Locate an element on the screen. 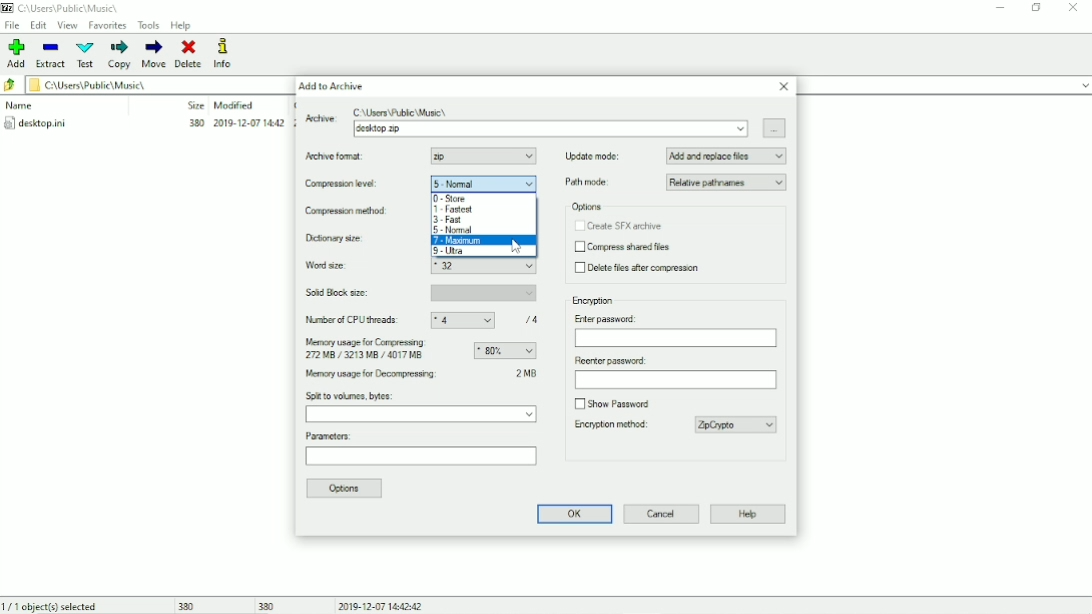 This screenshot has width=1092, height=614. Edit is located at coordinates (39, 25).